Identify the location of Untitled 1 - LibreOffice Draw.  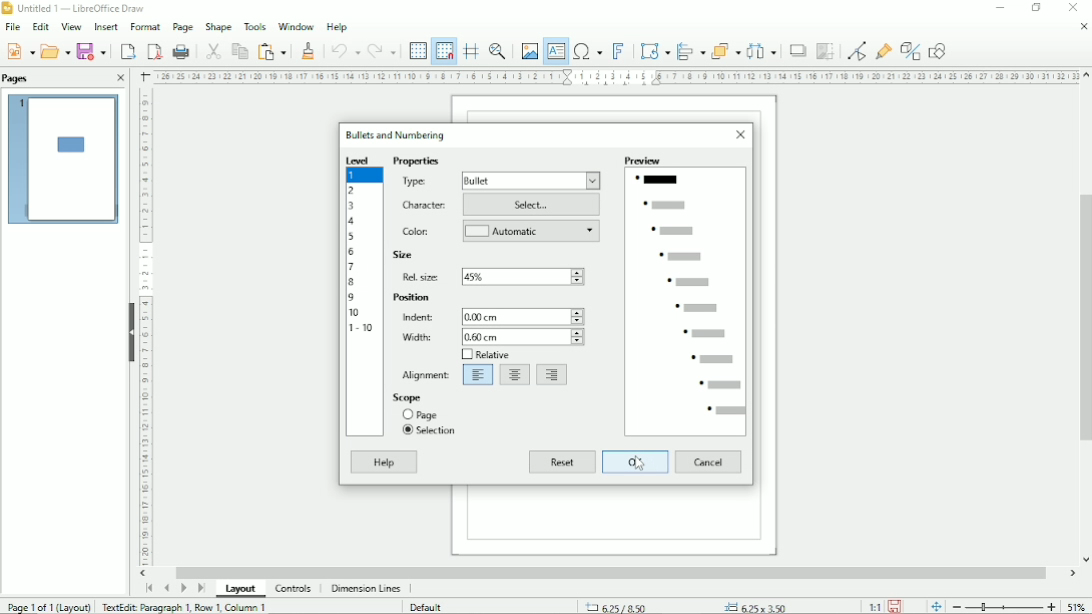
(77, 7).